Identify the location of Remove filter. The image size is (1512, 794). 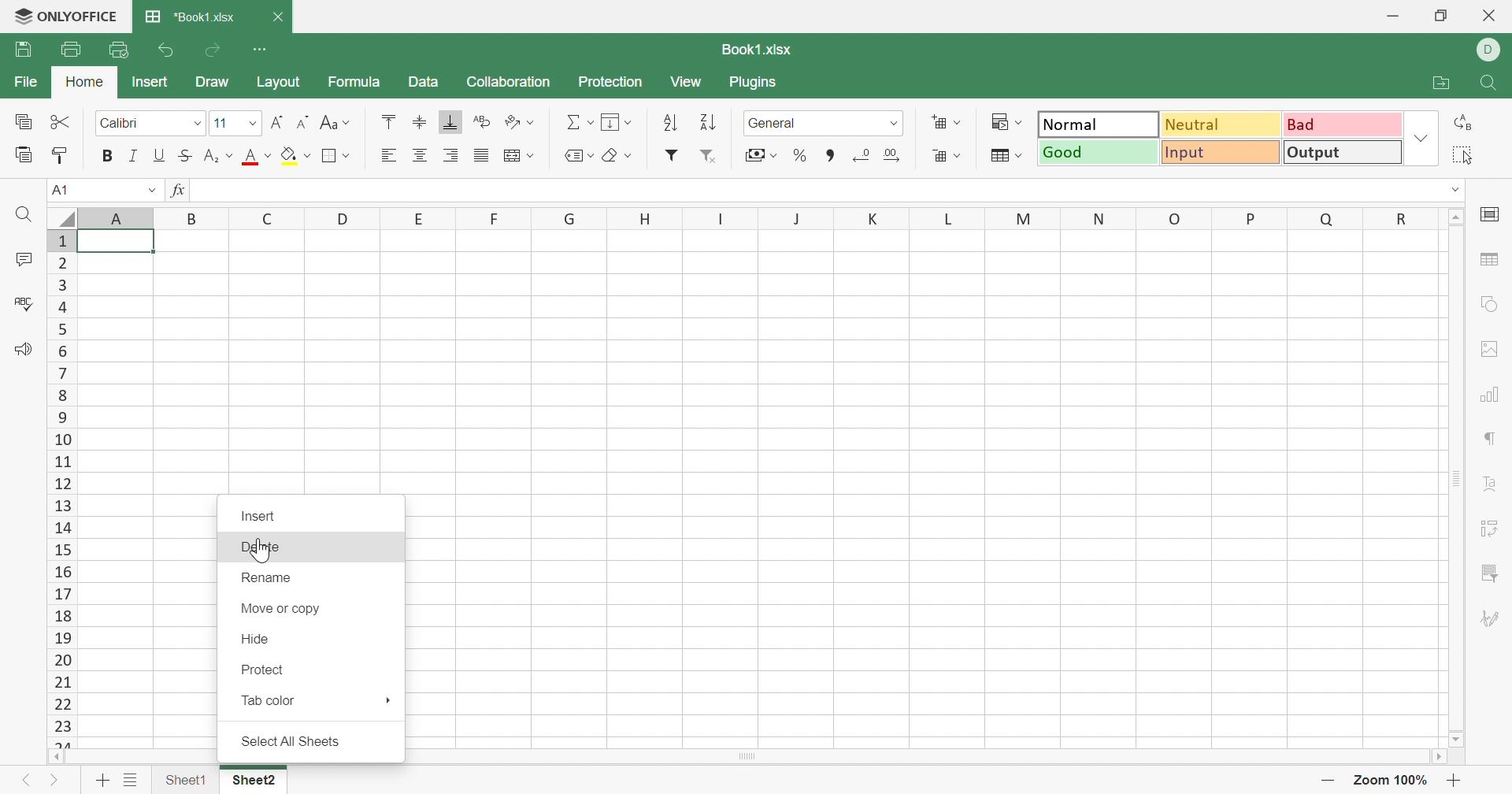
(712, 157).